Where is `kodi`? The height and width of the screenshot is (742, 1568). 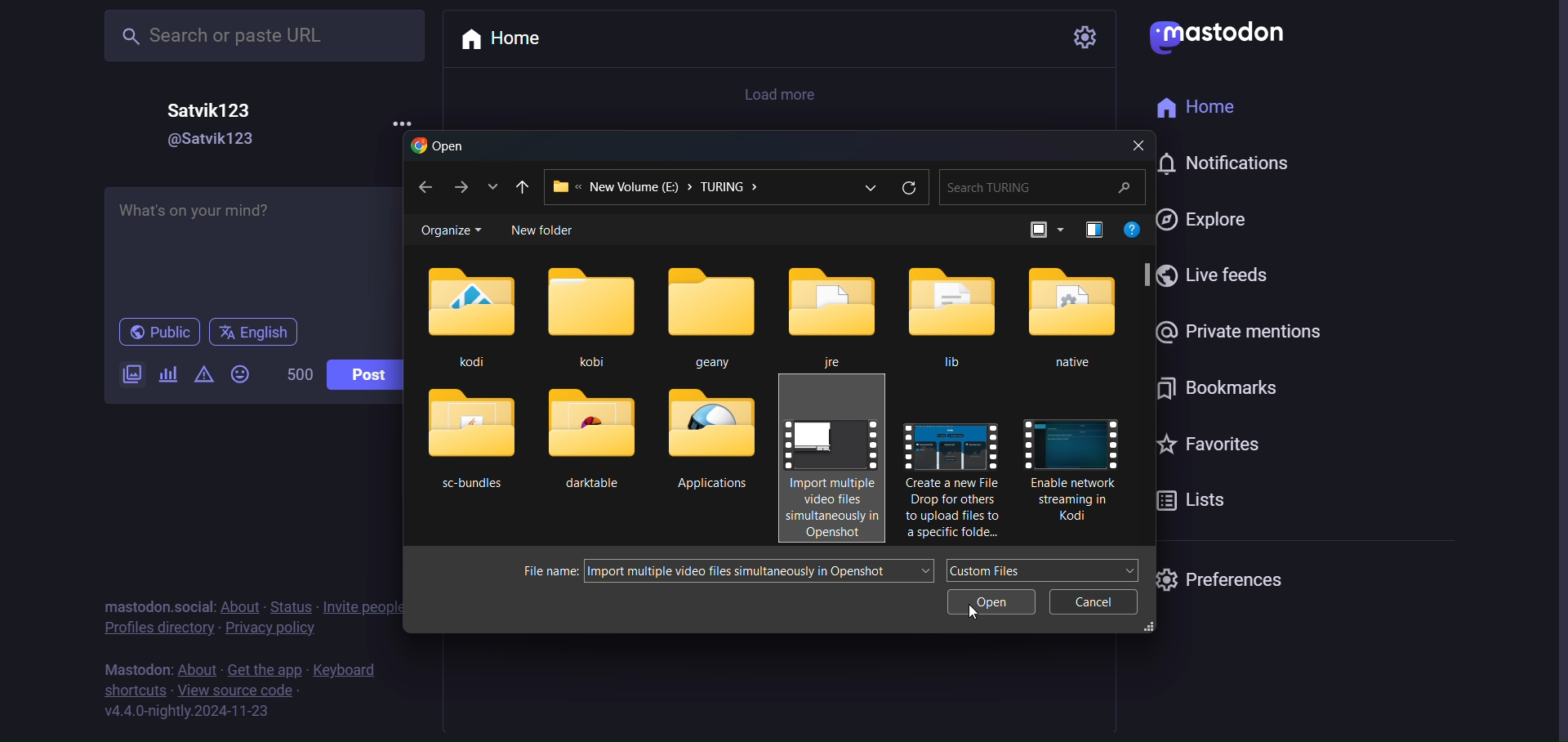
kodi is located at coordinates (469, 316).